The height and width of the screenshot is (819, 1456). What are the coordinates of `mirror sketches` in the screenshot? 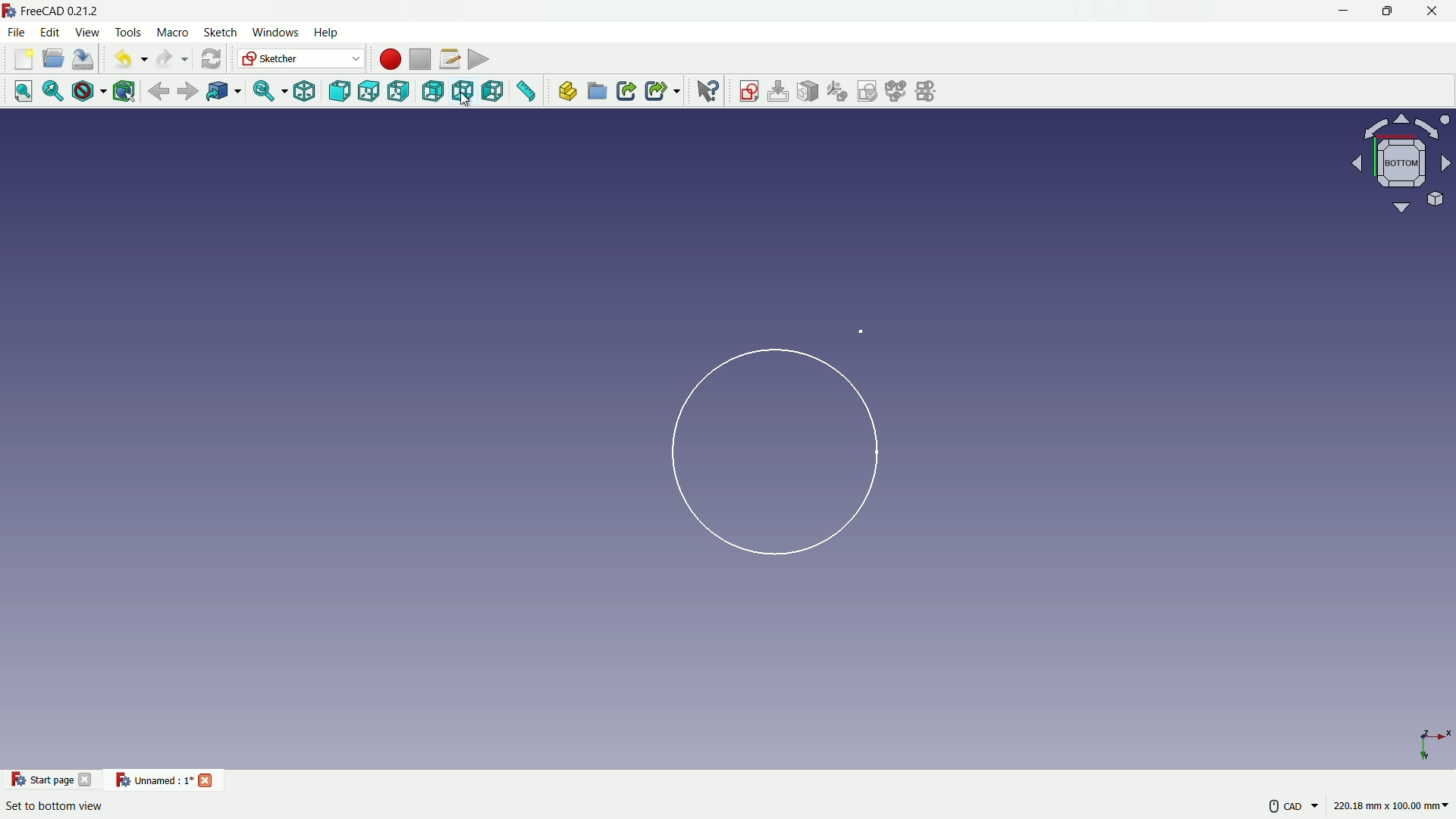 It's located at (929, 92).